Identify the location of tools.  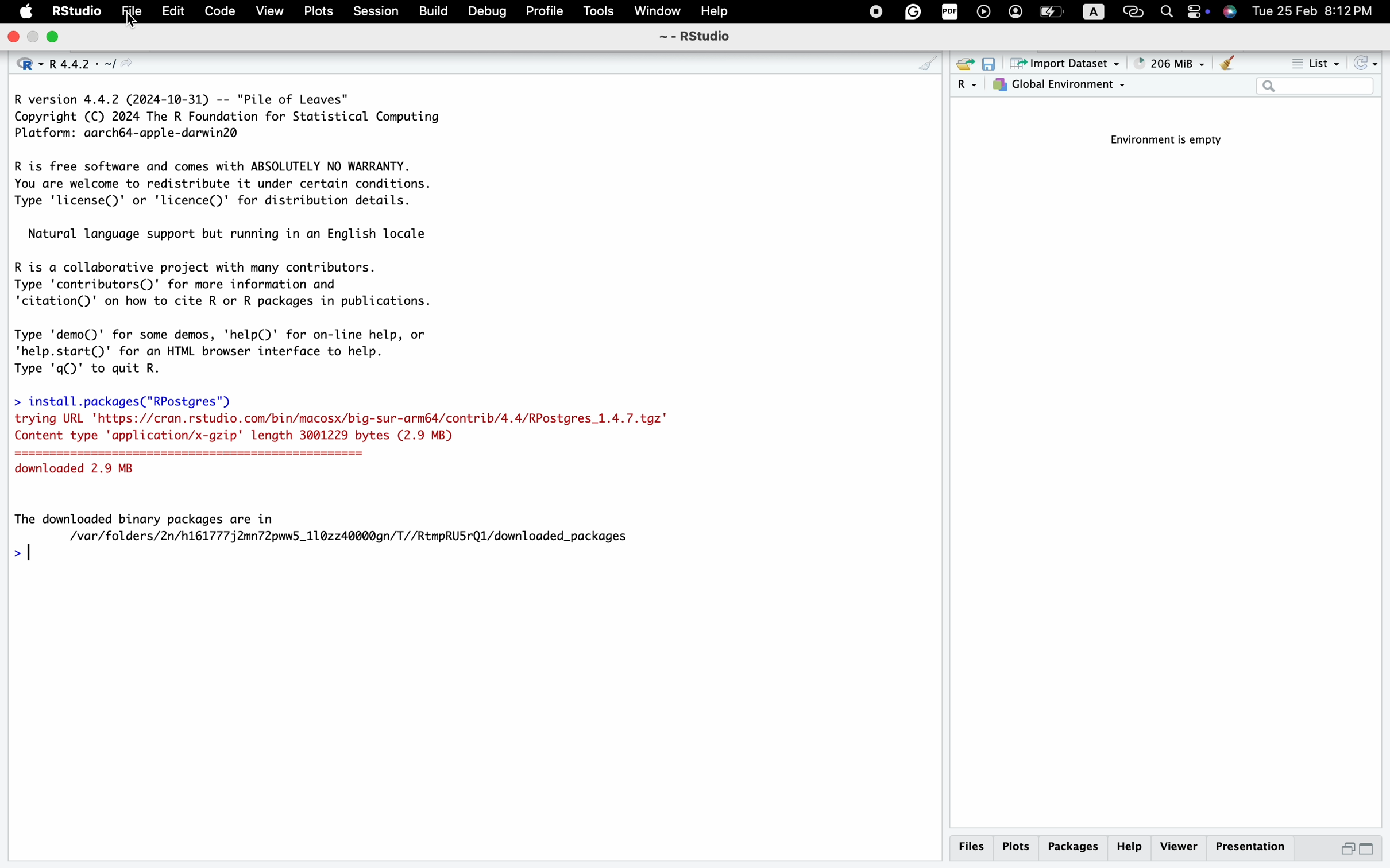
(600, 11).